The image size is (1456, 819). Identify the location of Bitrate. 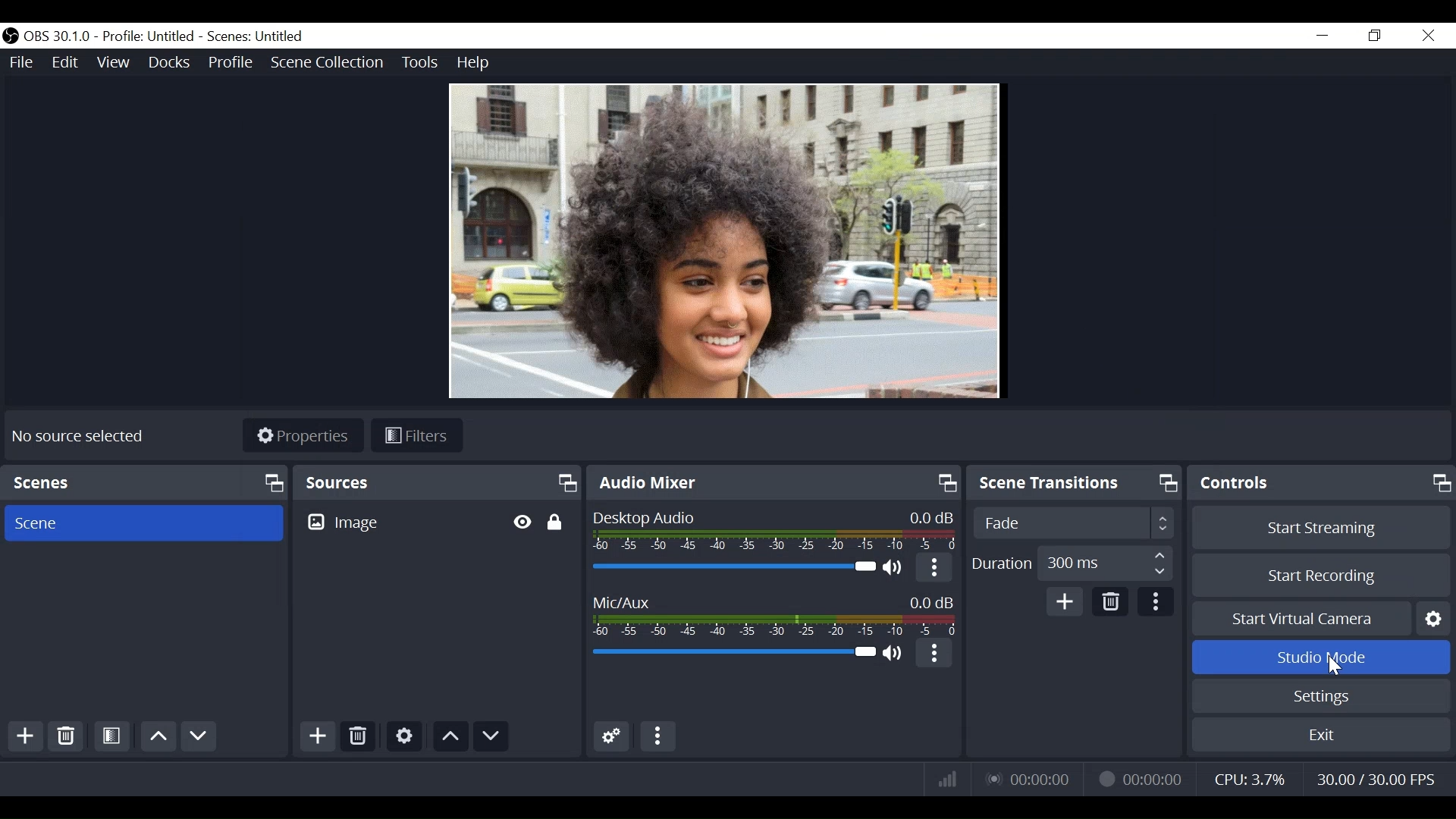
(952, 780).